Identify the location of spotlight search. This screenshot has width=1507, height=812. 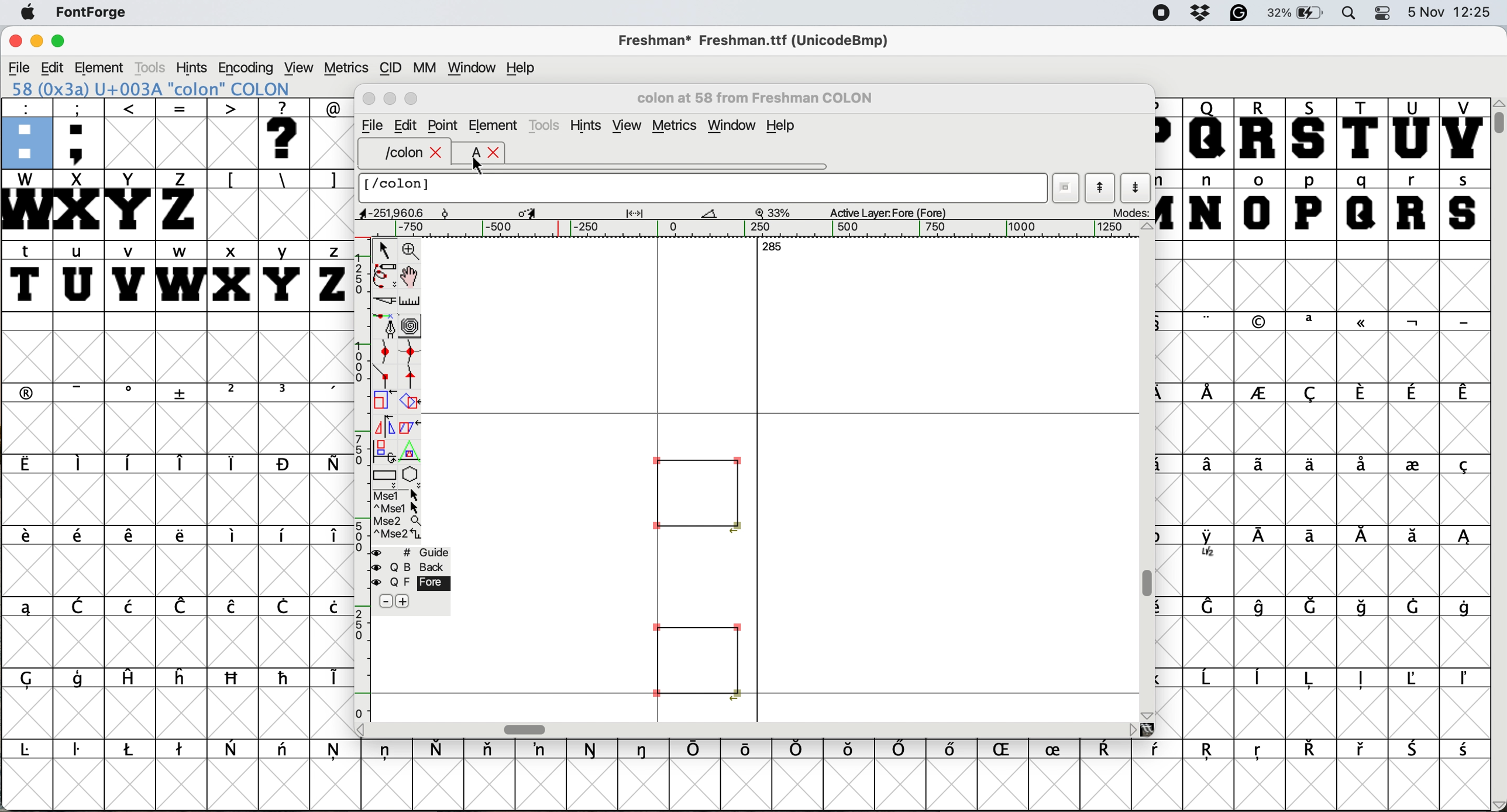
(1349, 14).